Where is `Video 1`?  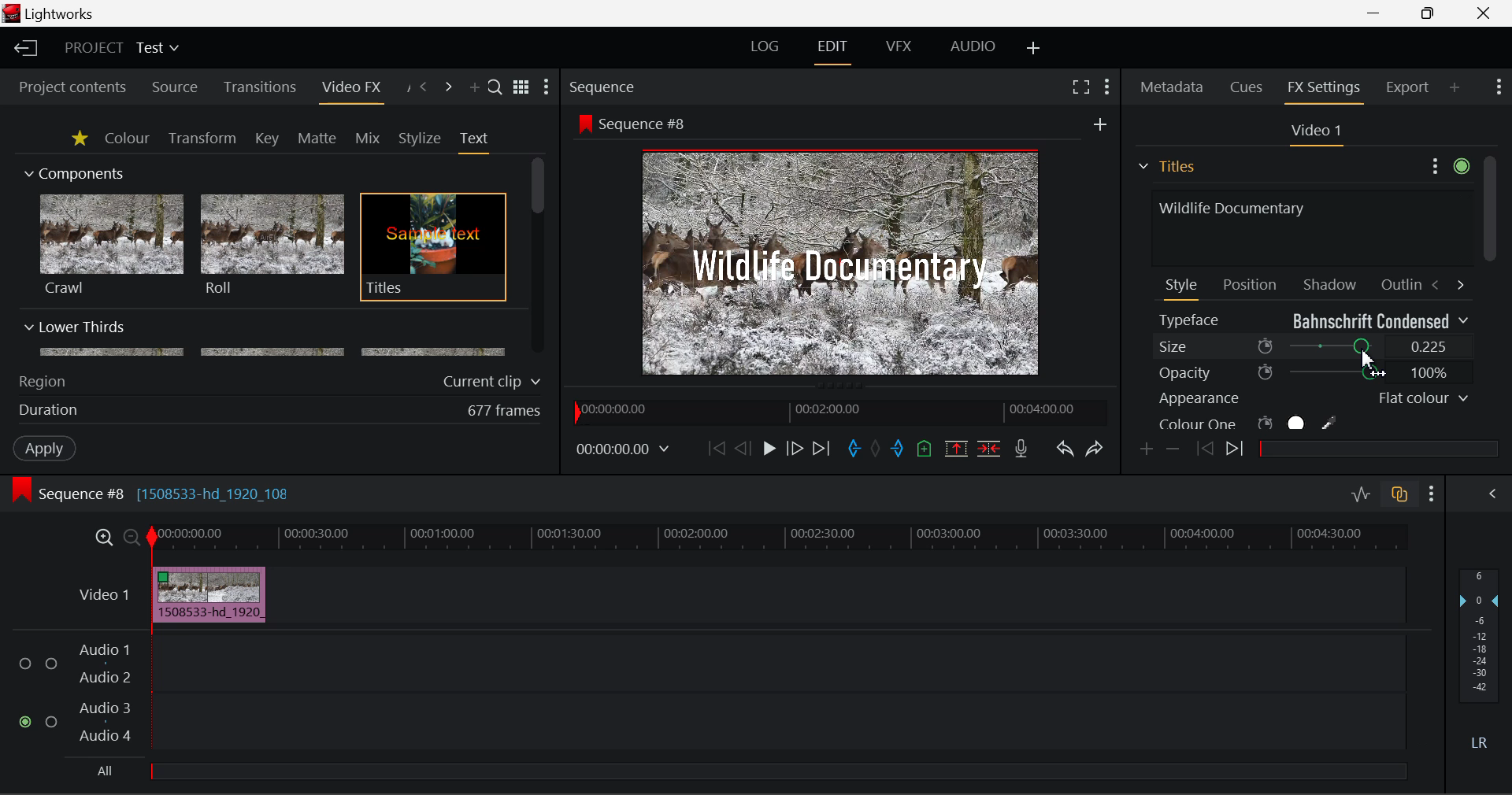
Video 1 is located at coordinates (106, 594).